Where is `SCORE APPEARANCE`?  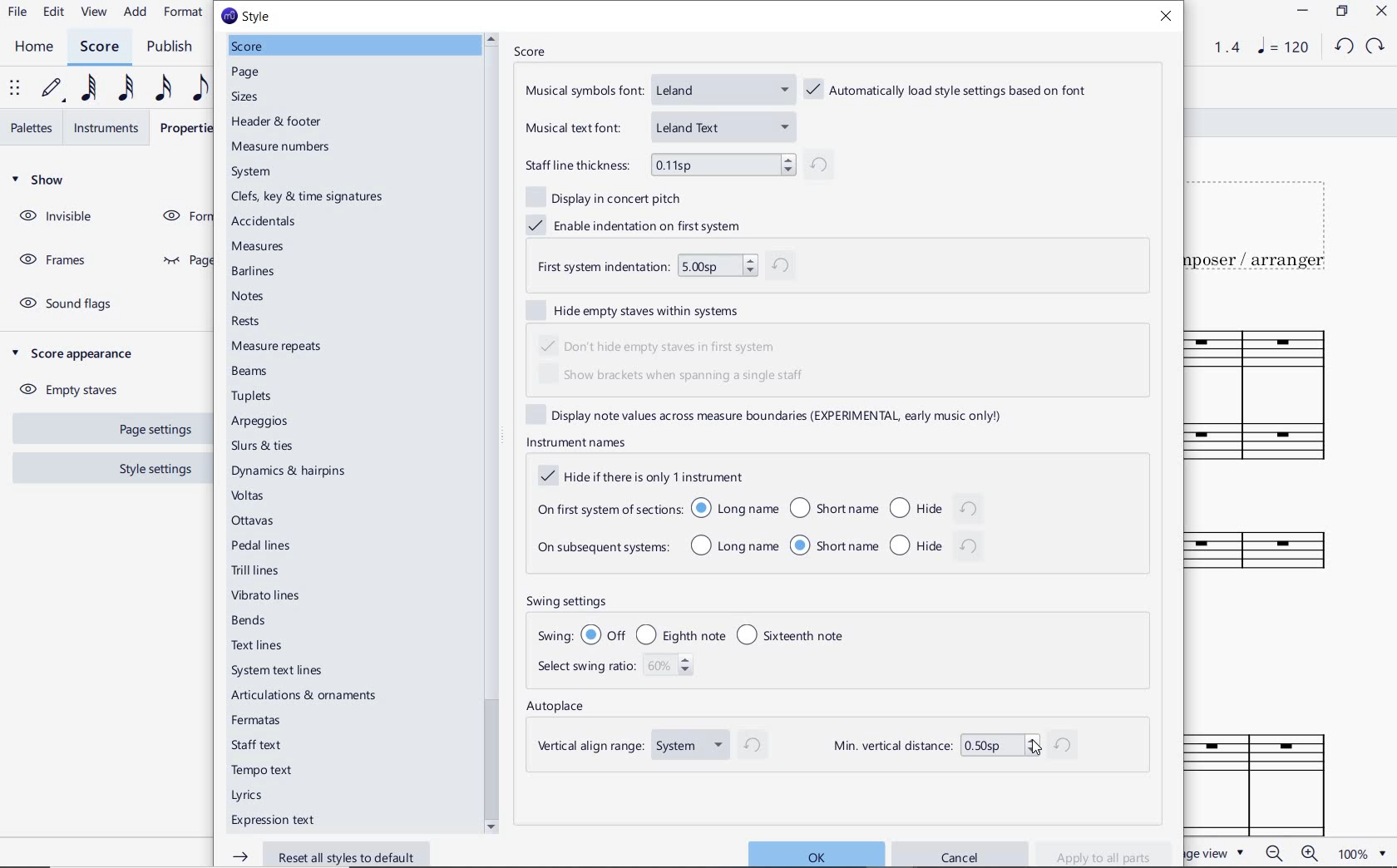 SCORE APPEARANCE is located at coordinates (78, 353).